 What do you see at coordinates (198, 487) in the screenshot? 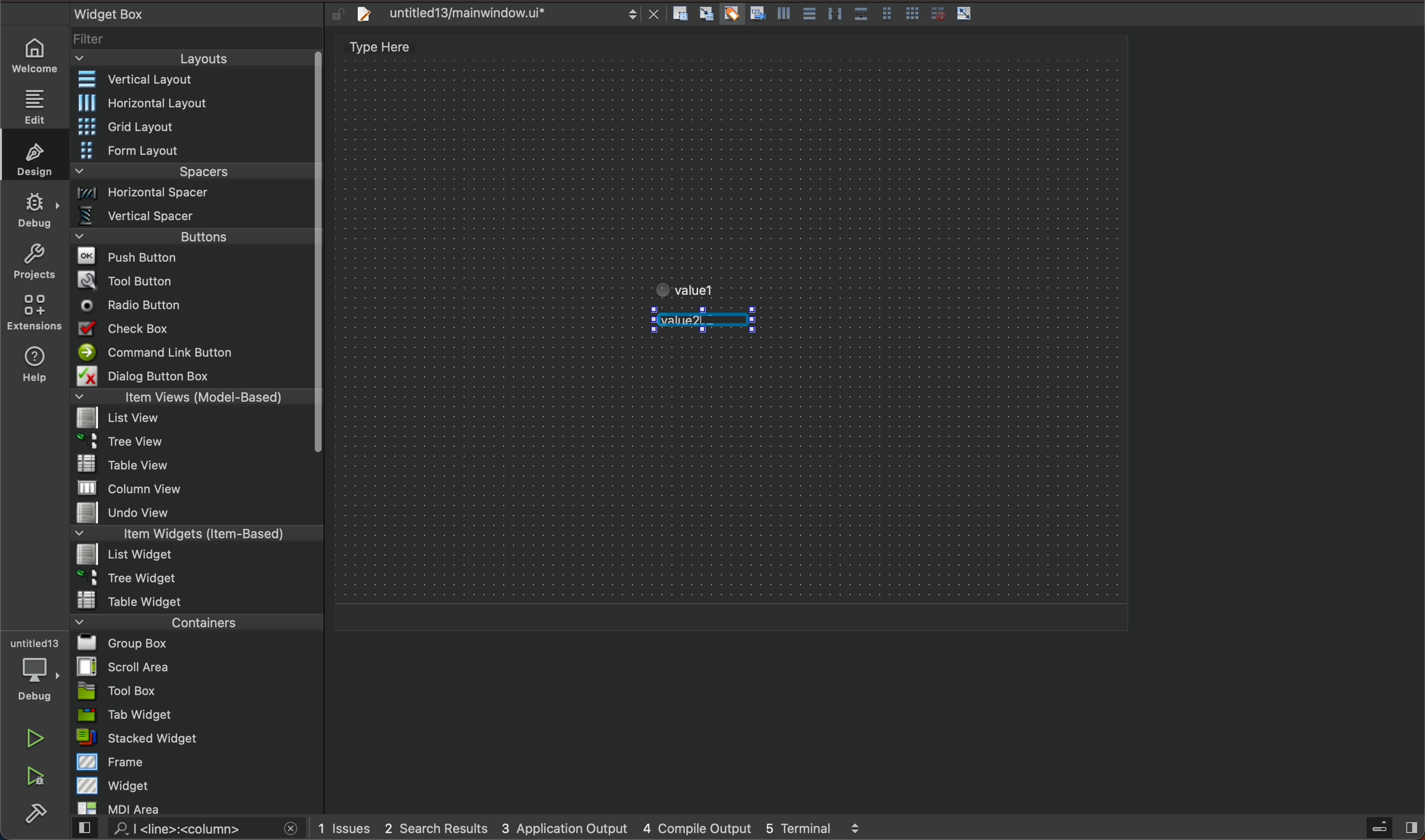
I see `column ` at bounding box center [198, 487].